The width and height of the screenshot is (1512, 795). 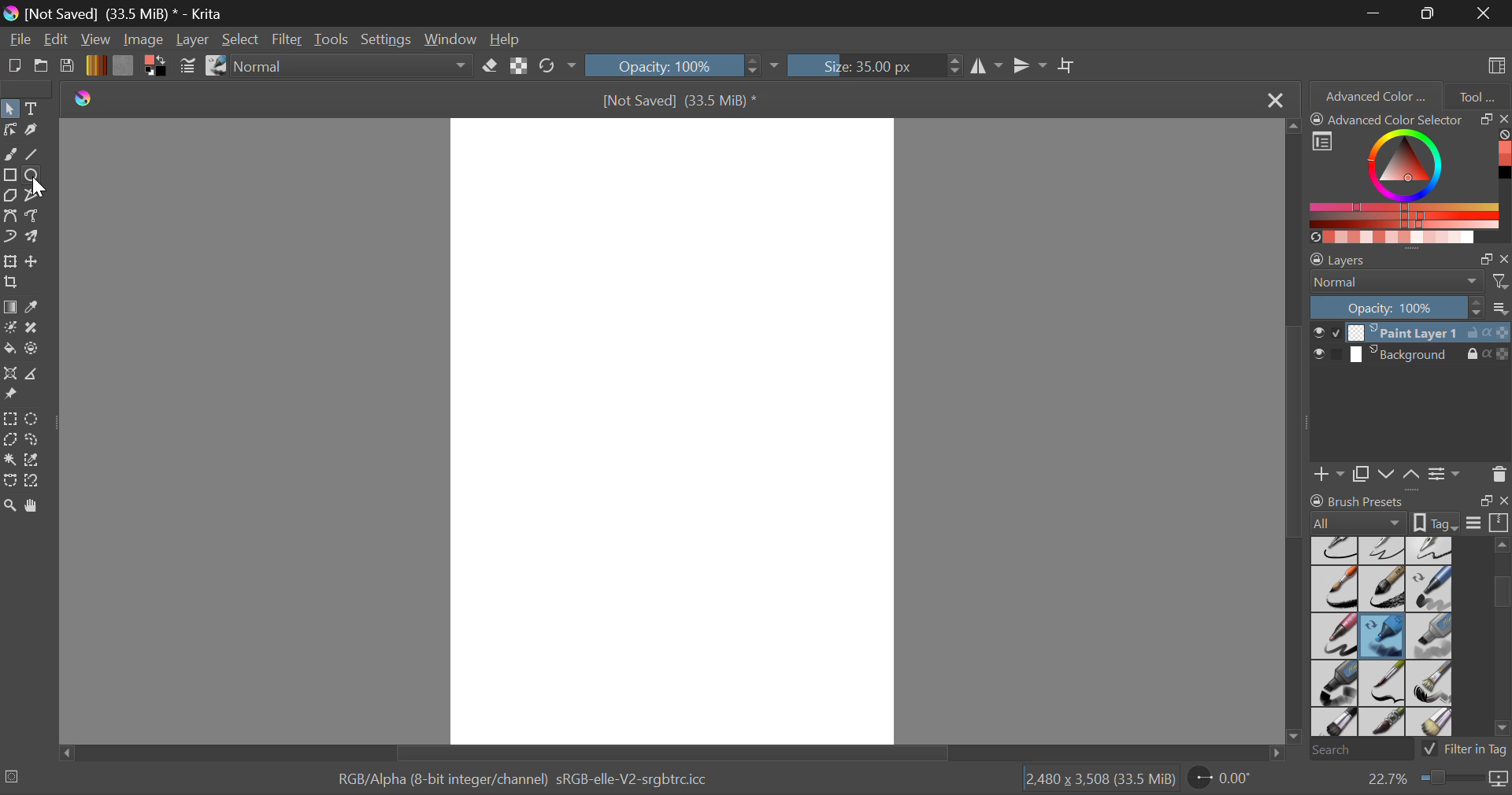 I want to click on Zoom 22.7%, so click(x=1431, y=779).